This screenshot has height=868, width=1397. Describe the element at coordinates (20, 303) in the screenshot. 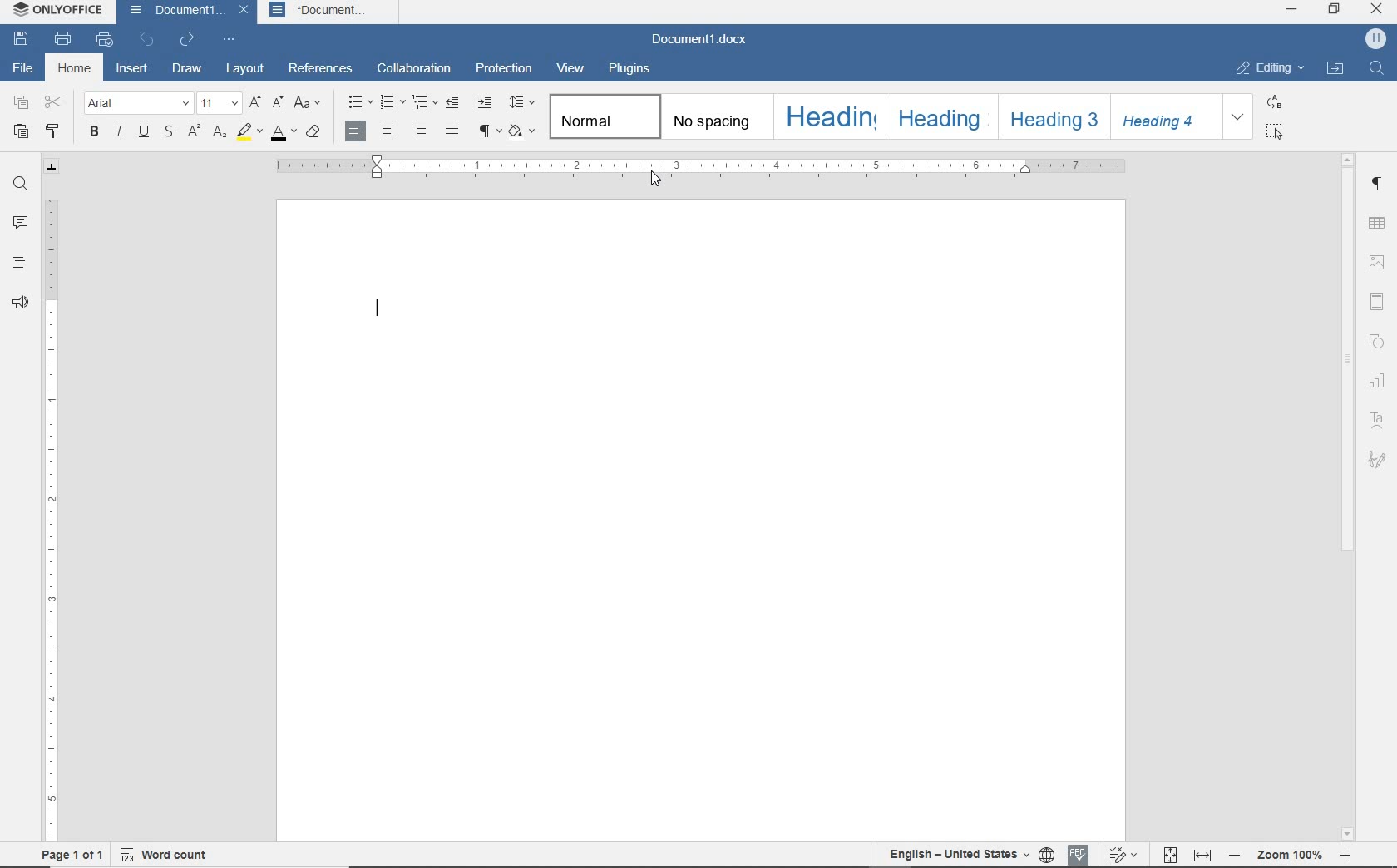

I see `FEEDBACK & SUPPORT` at that location.